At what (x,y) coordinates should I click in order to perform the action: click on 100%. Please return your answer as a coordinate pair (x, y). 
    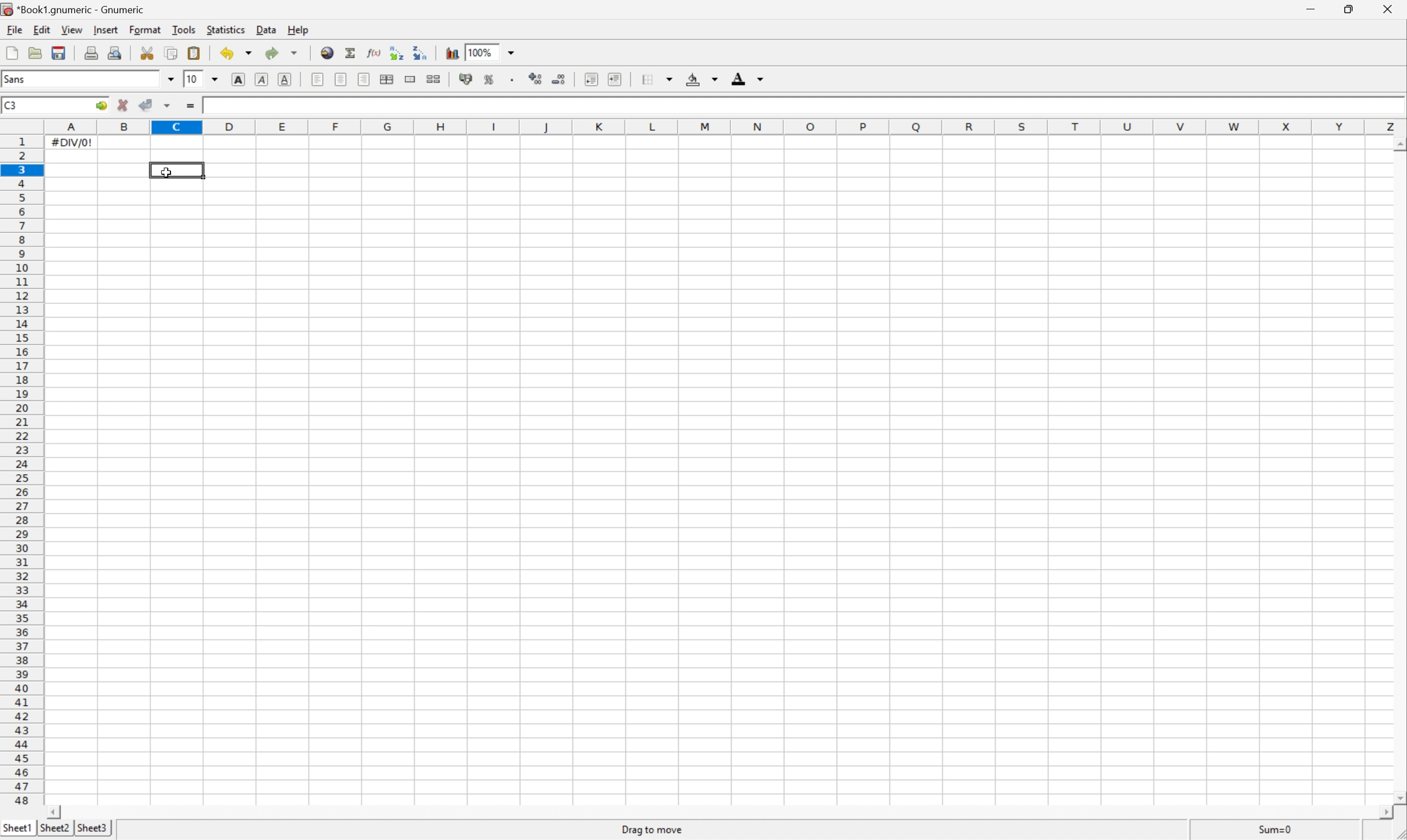
    Looking at the image, I should click on (482, 52).